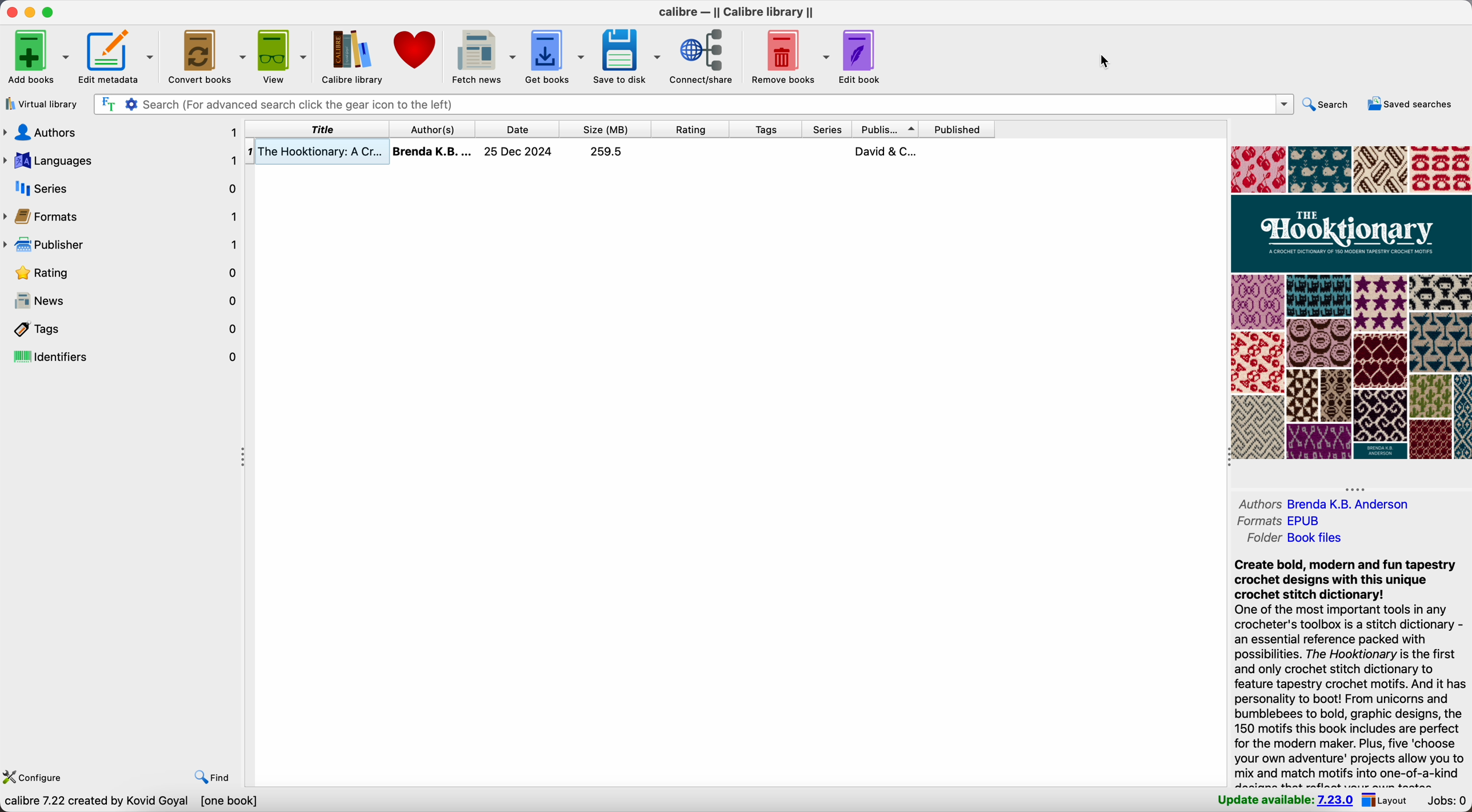 The image size is (1472, 812). What do you see at coordinates (35, 57) in the screenshot?
I see `add books` at bounding box center [35, 57].